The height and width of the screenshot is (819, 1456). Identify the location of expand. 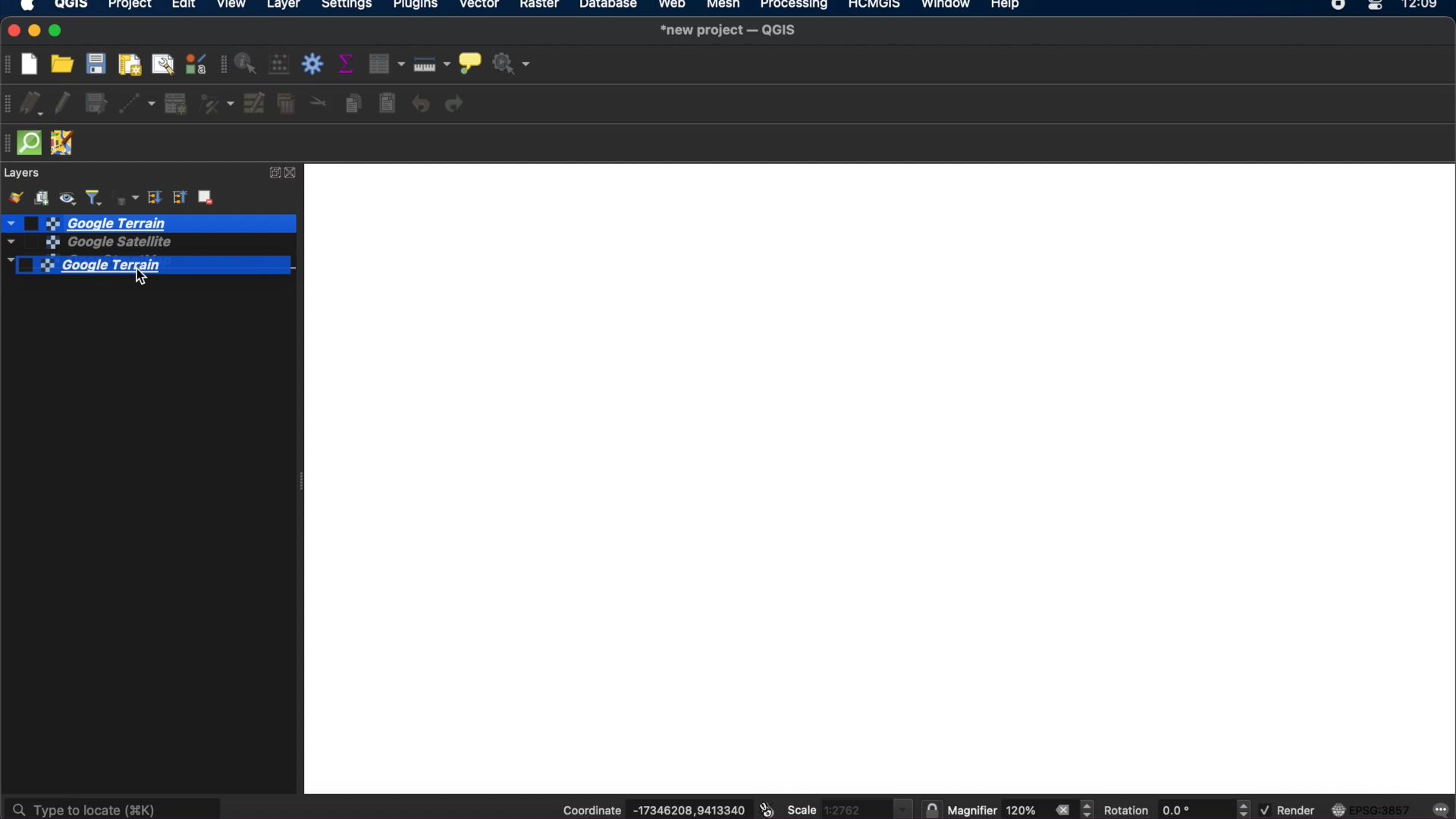
(272, 173).